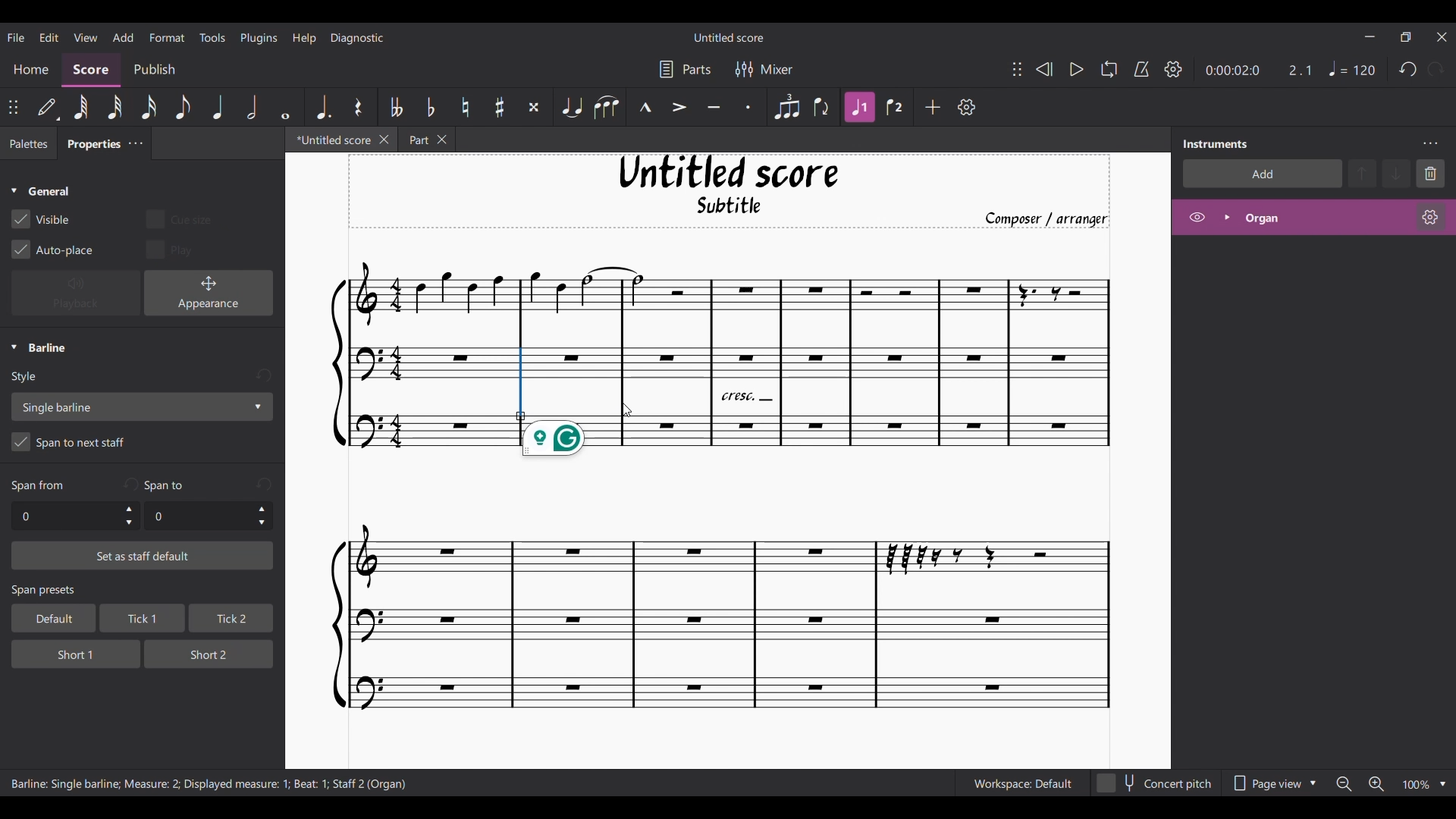 The width and height of the screenshot is (1456, 819). I want to click on Add menu, so click(123, 36).